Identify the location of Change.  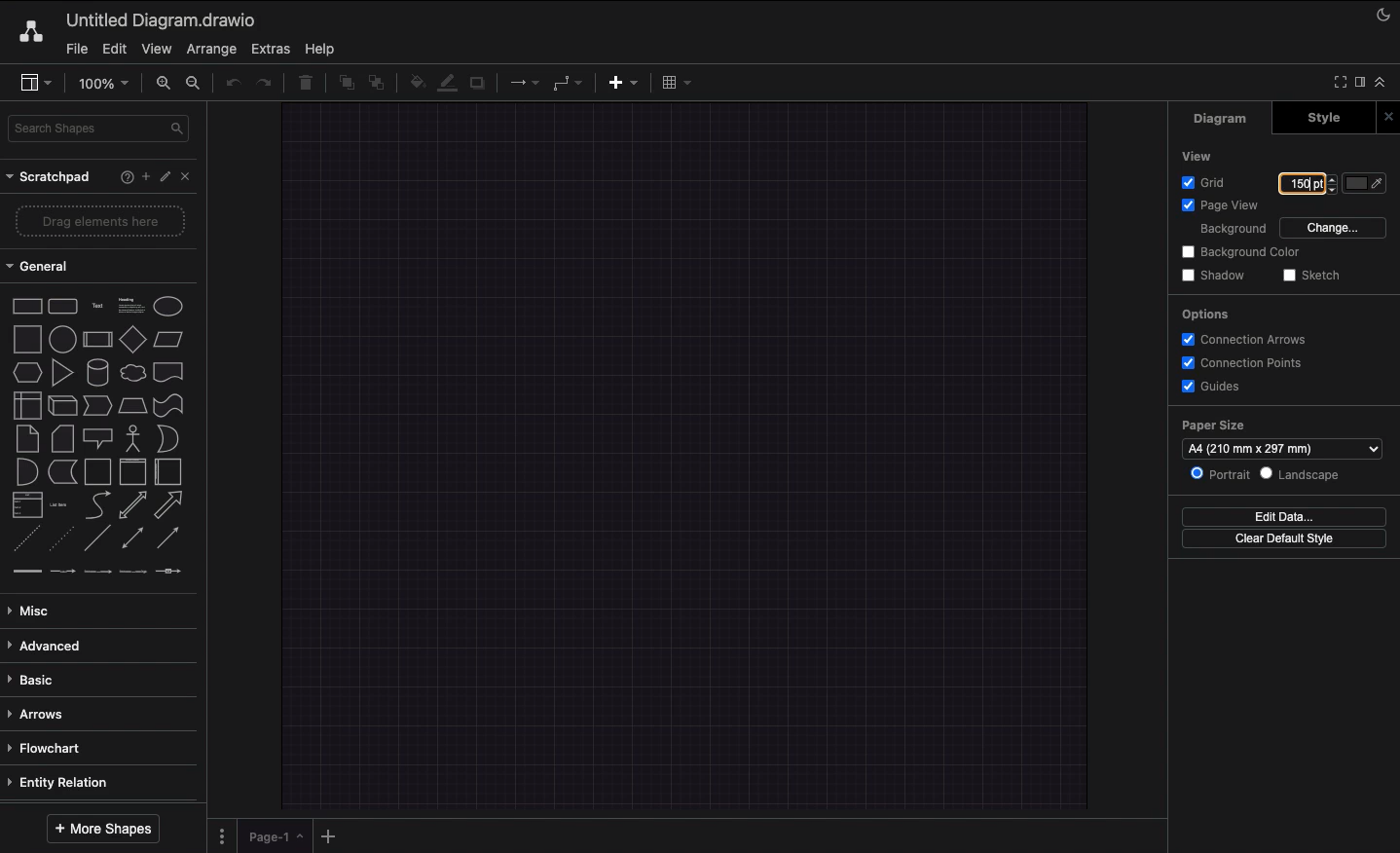
(1334, 229).